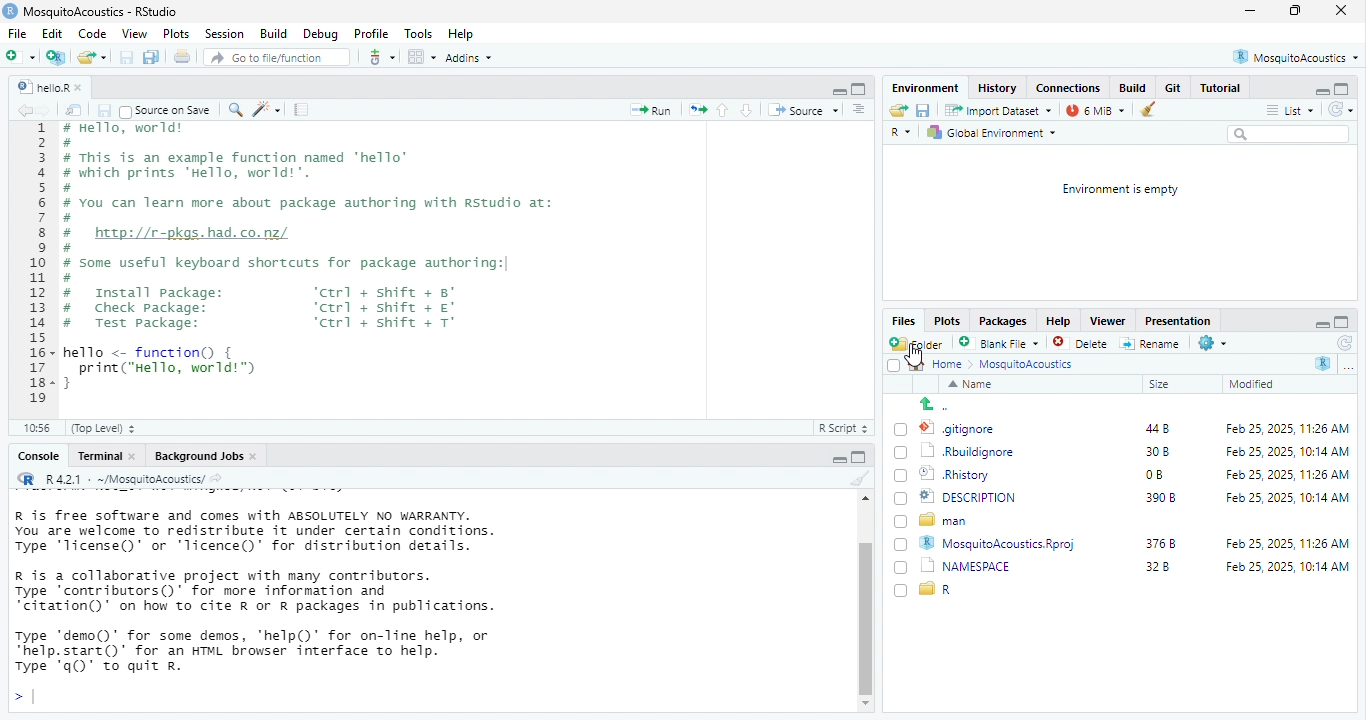 The width and height of the screenshot is (1366, 720). I want to click on ® MosquitoAcoustics *, so click(1298, 56).